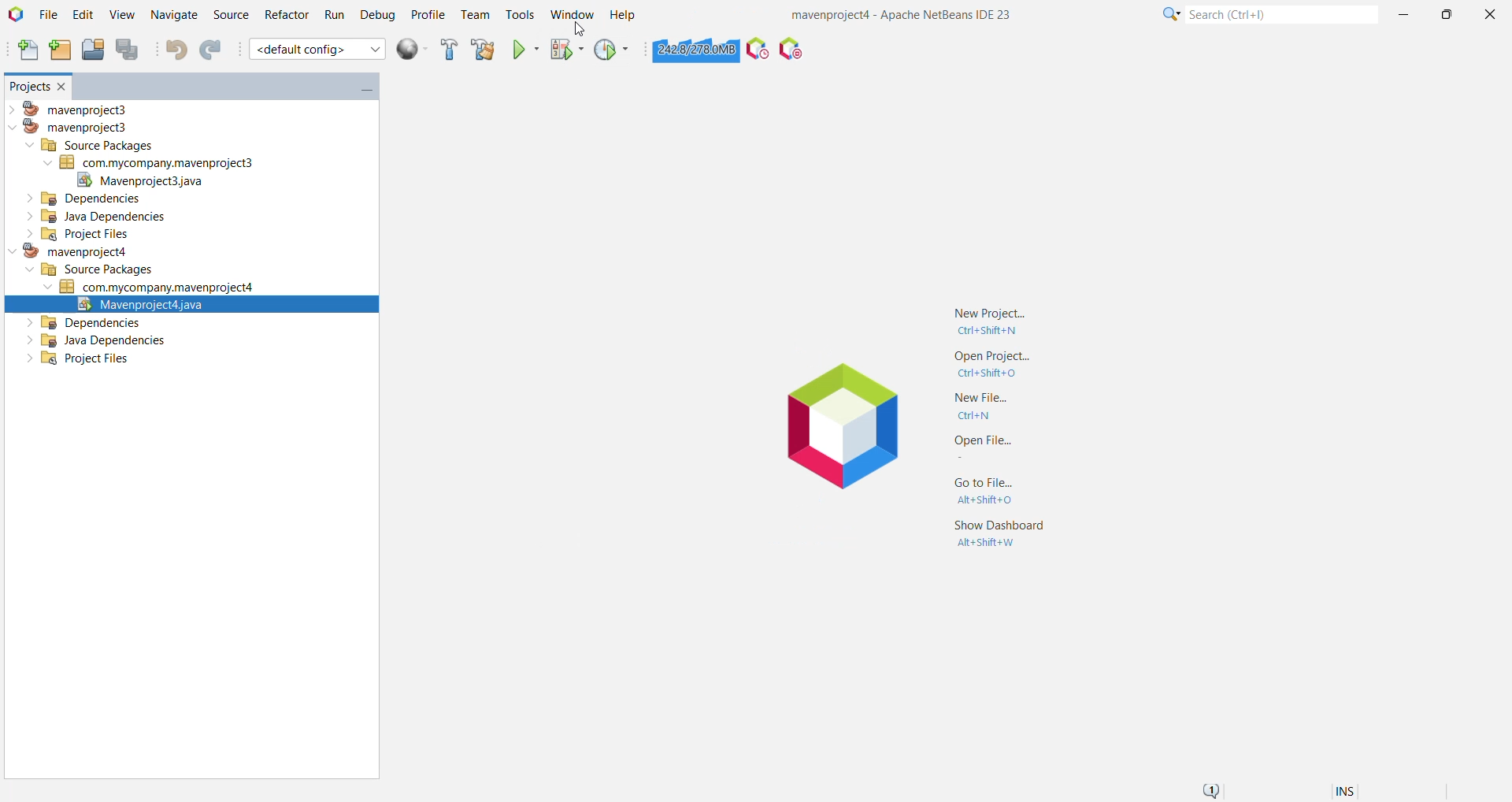  Describe the element at coordinates (1365, 789) in the screenshot. I see `Encoding` at that location.